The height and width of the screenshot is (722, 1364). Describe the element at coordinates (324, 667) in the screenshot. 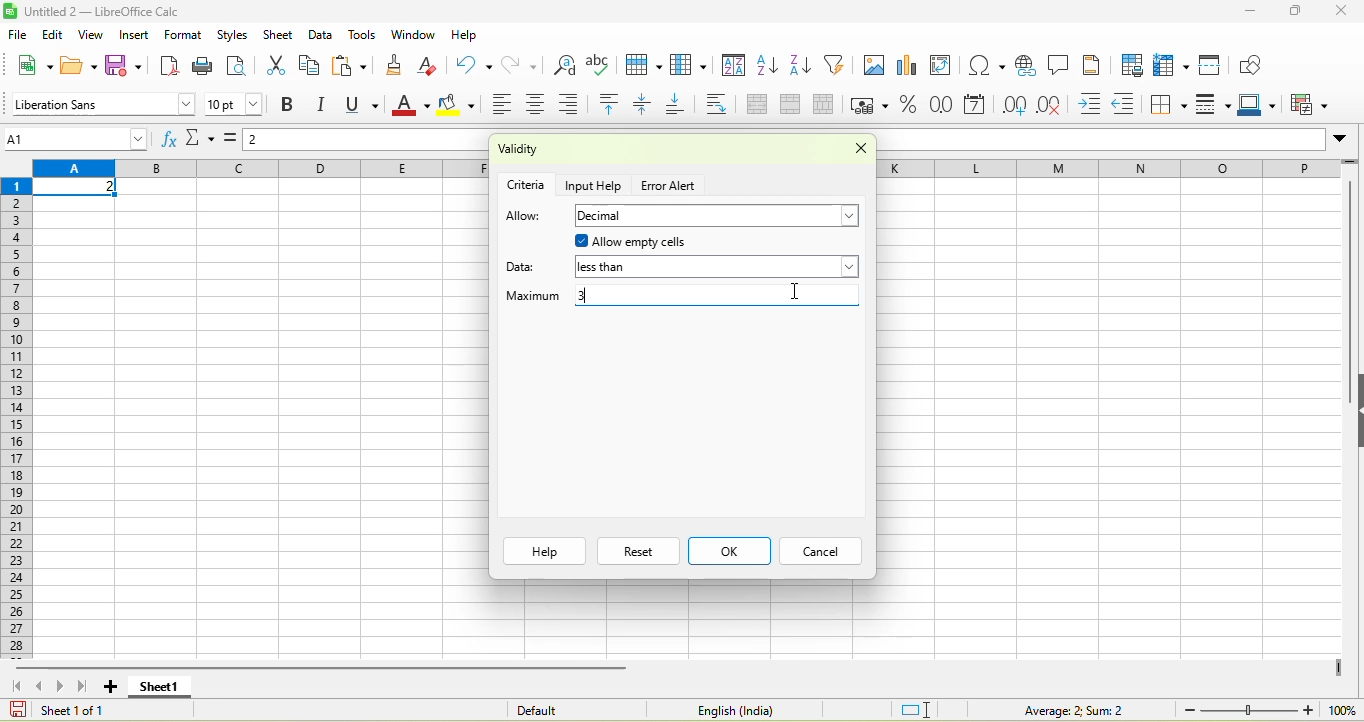

I see `horizontal scroll bar` at that location.